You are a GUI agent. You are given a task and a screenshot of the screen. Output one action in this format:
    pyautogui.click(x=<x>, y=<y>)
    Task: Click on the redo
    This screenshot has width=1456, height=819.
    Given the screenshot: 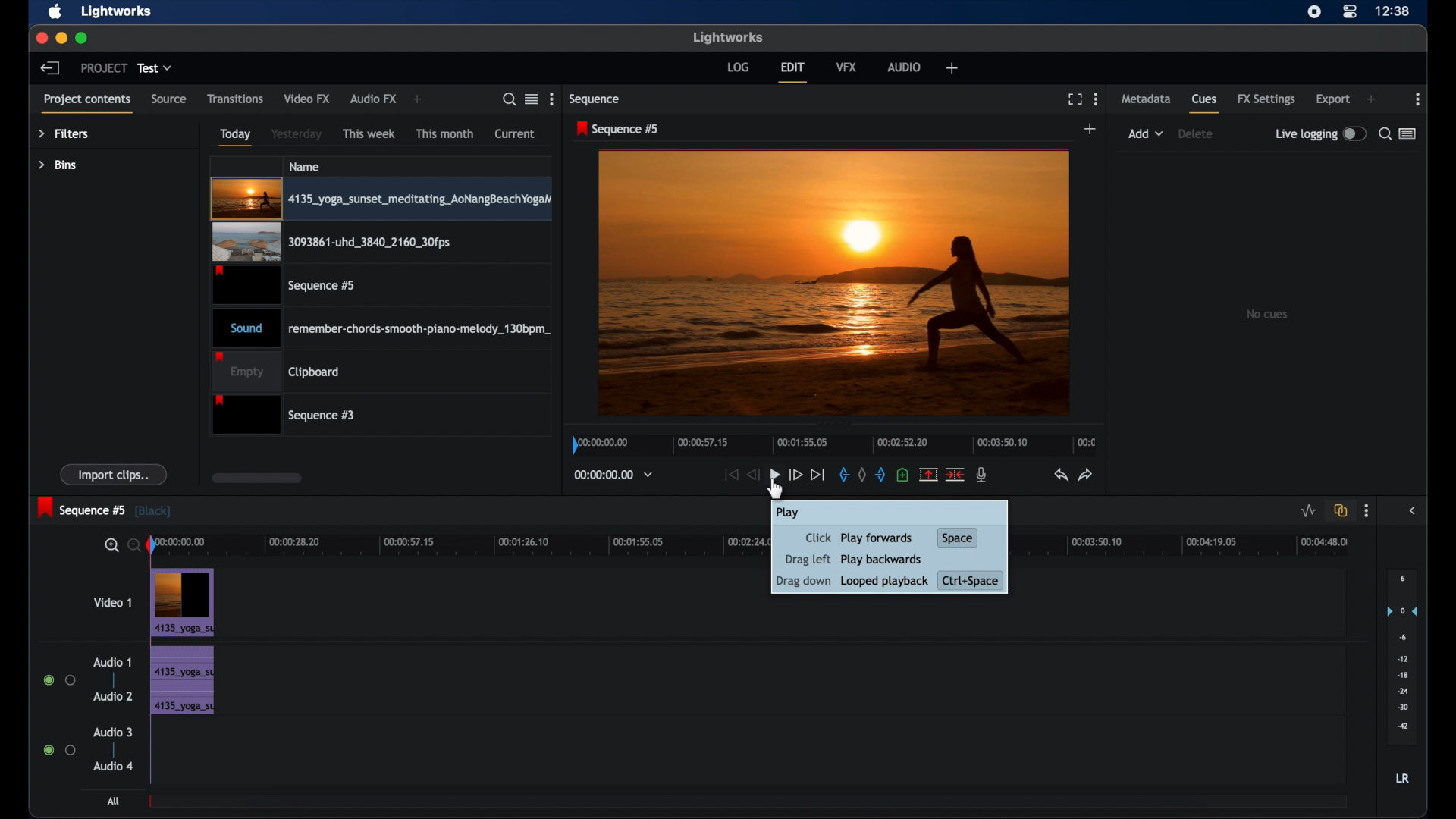 What is the action you would take?
    pyautogui.click(x=1086, y=475)
    